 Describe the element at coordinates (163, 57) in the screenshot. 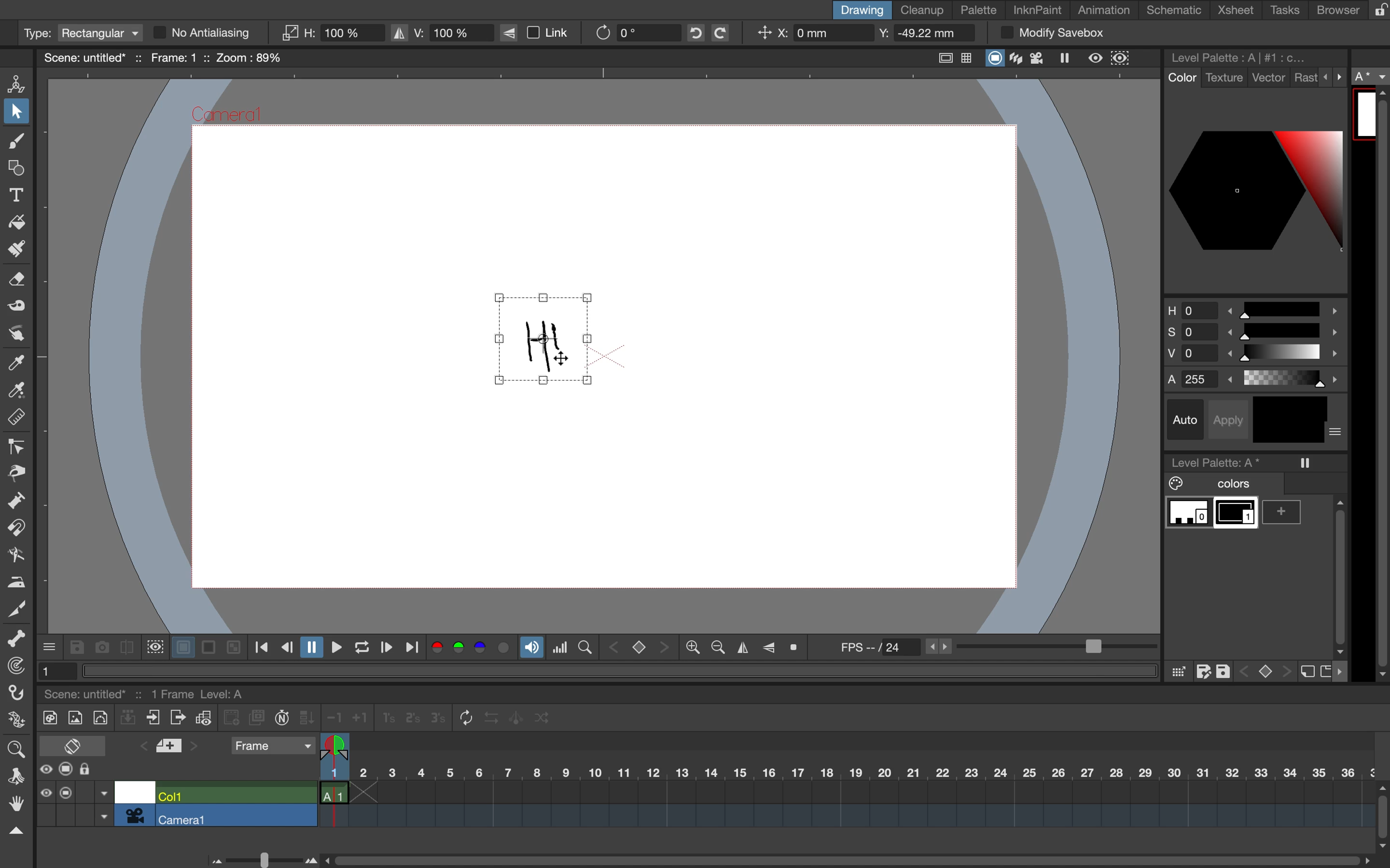

I see `scene name and scene details` at that location.